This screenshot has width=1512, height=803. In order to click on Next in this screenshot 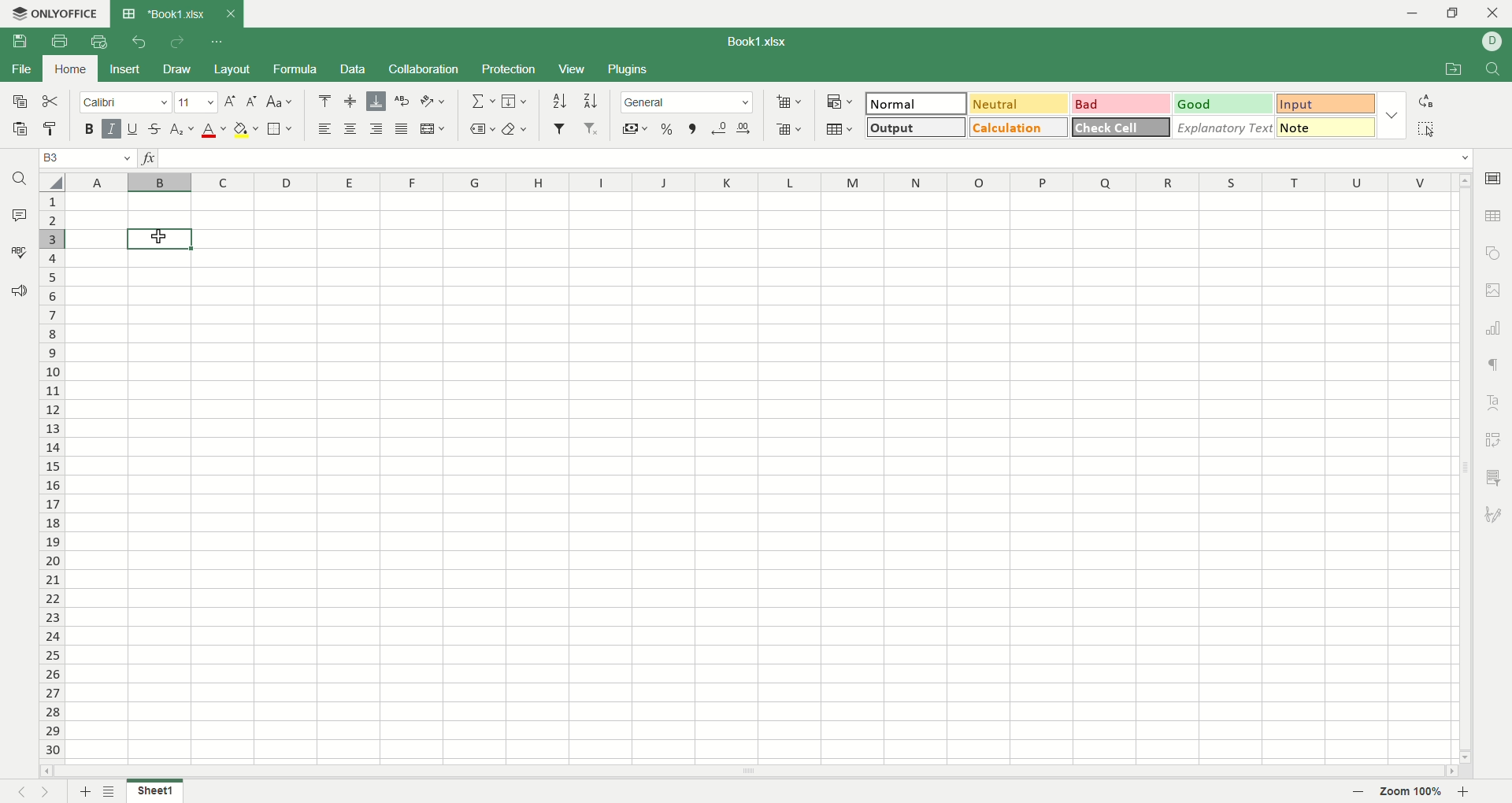, I will do `click(48, 791)`.